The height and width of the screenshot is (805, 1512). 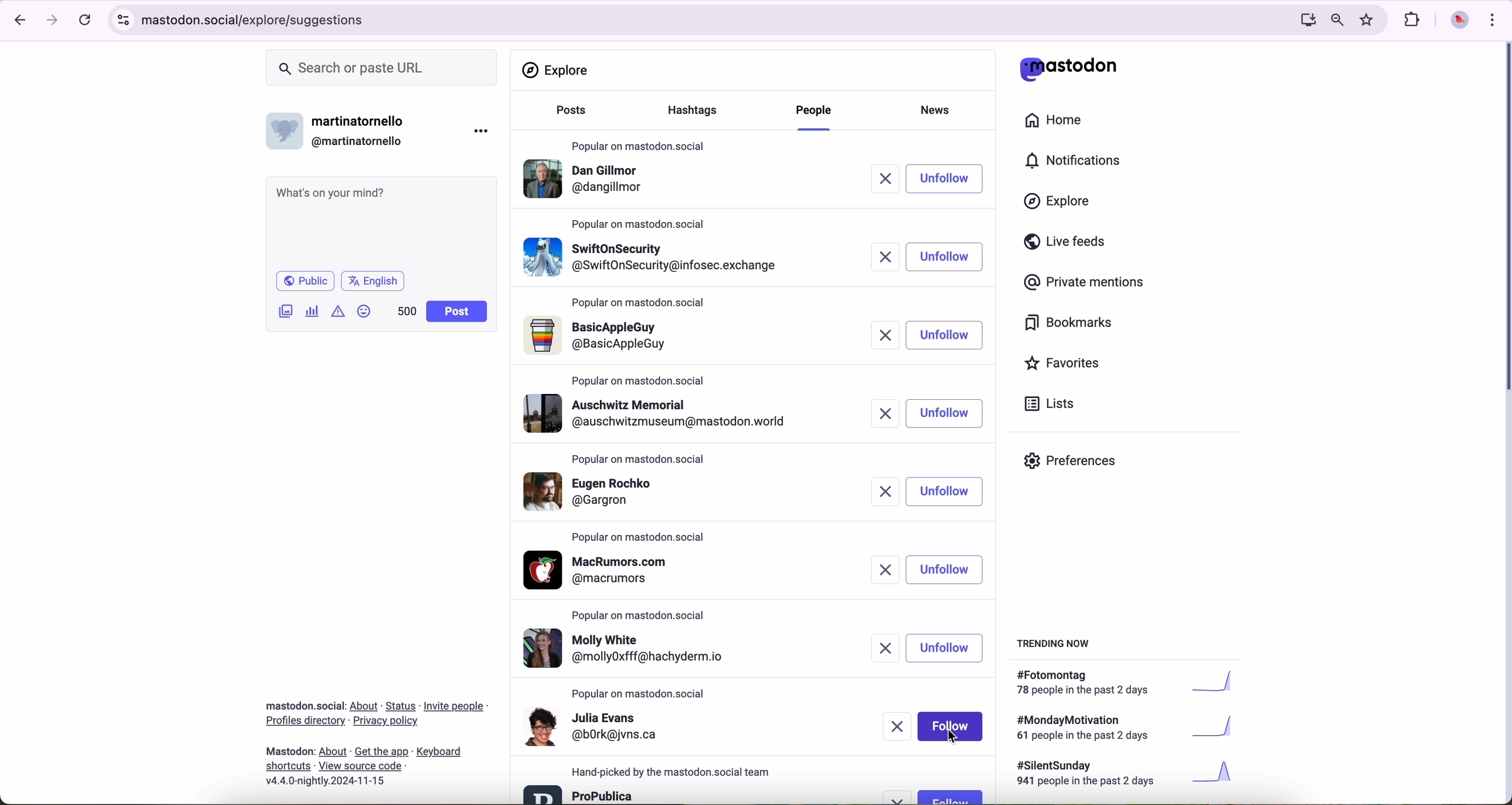 I want to click on unfollow, so click(x=947, y=647).